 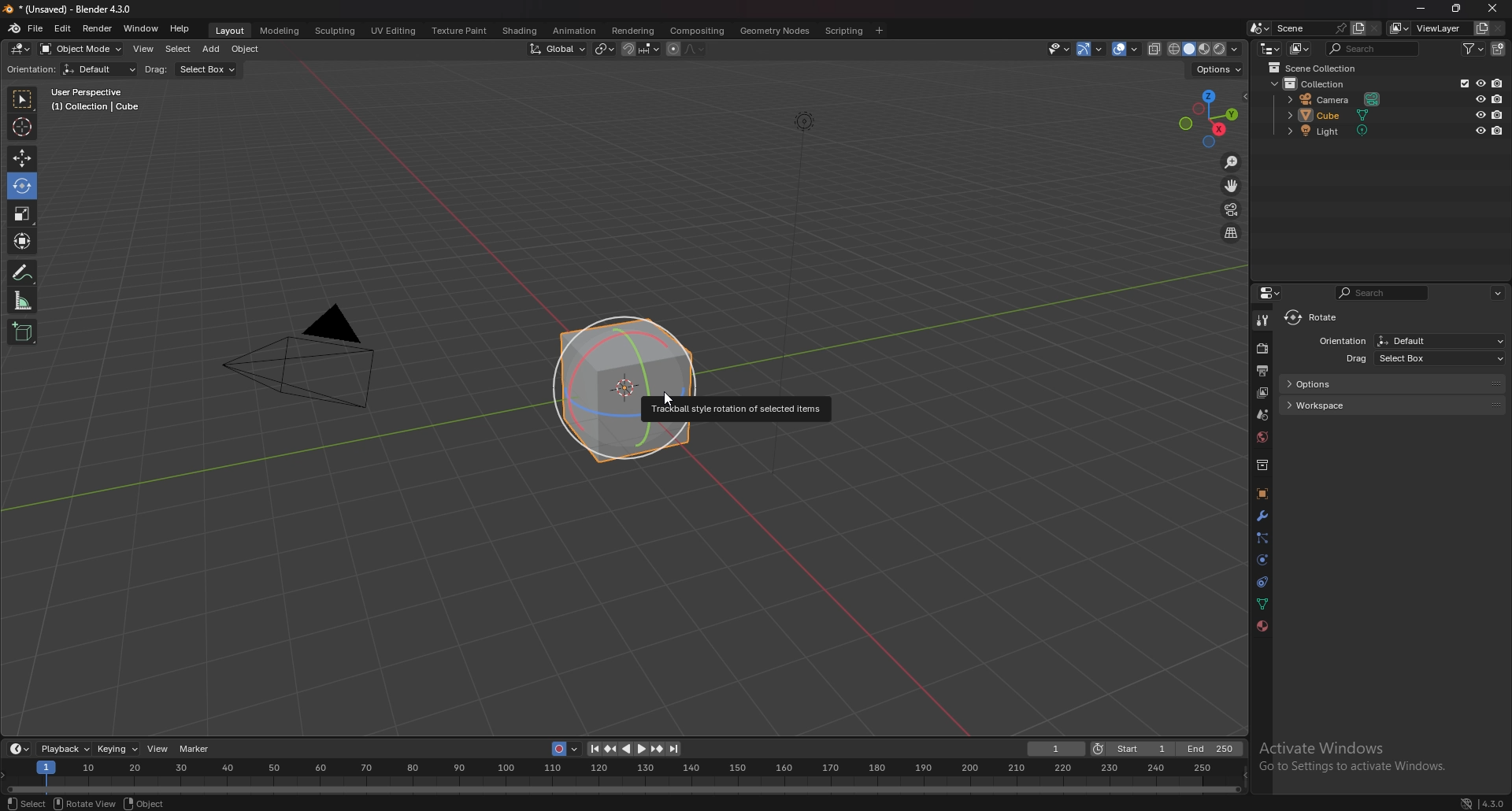 I want to click on rendering, so click(x=632, y=30).